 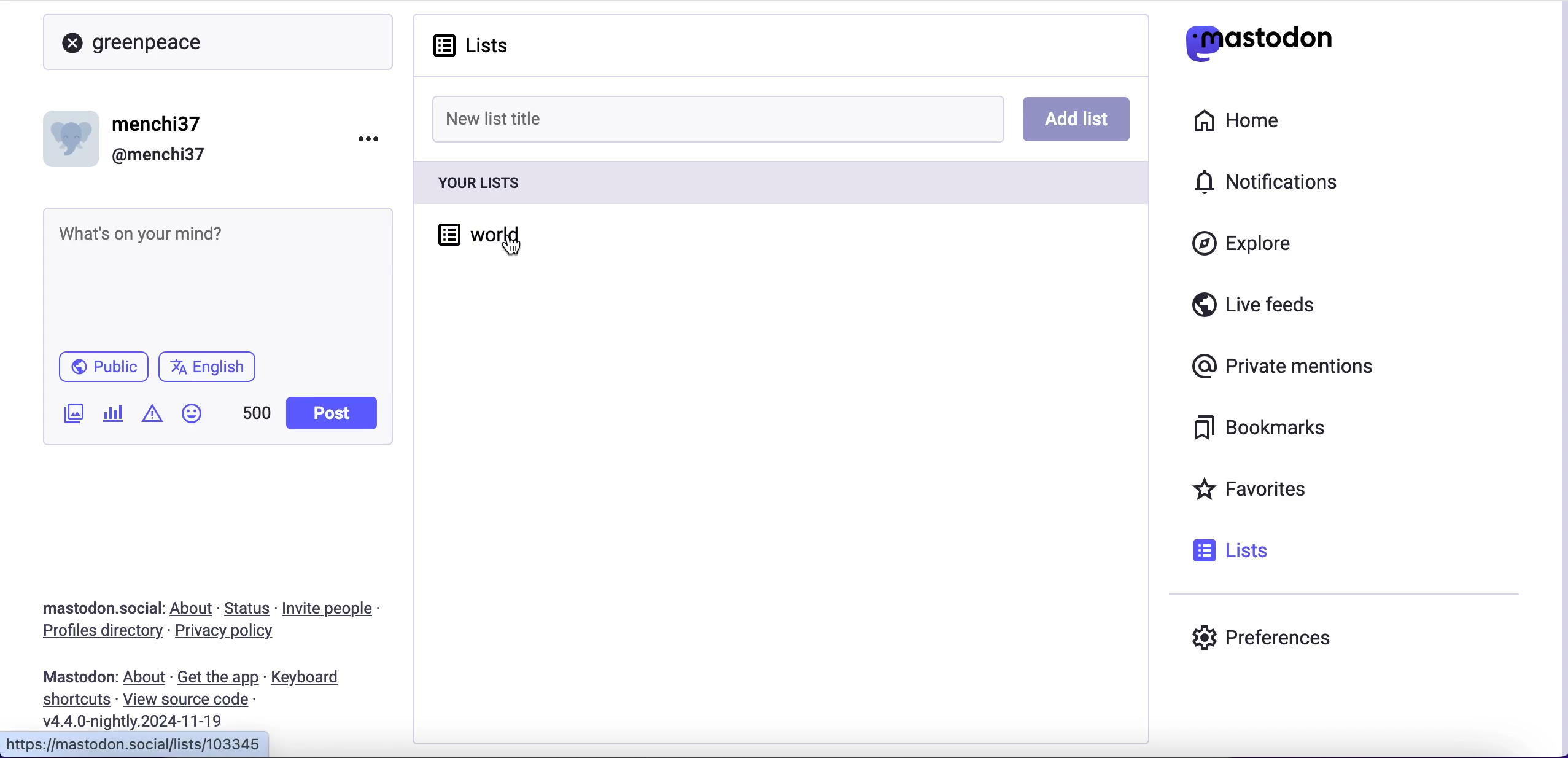 I want to click on bookmarks, so click(x=1263, y=428).